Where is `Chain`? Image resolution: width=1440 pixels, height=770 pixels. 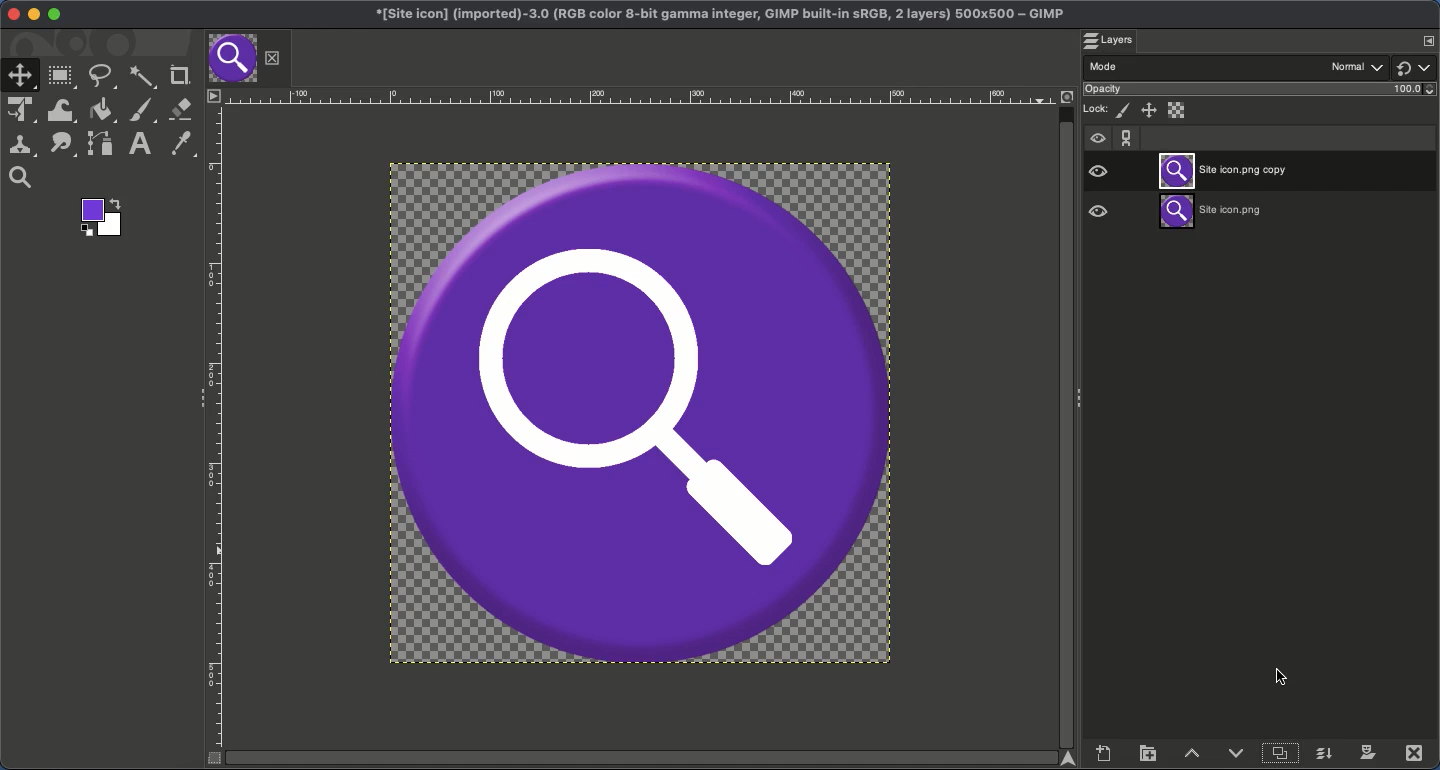 Chain is located at coordinates (1126, 137).